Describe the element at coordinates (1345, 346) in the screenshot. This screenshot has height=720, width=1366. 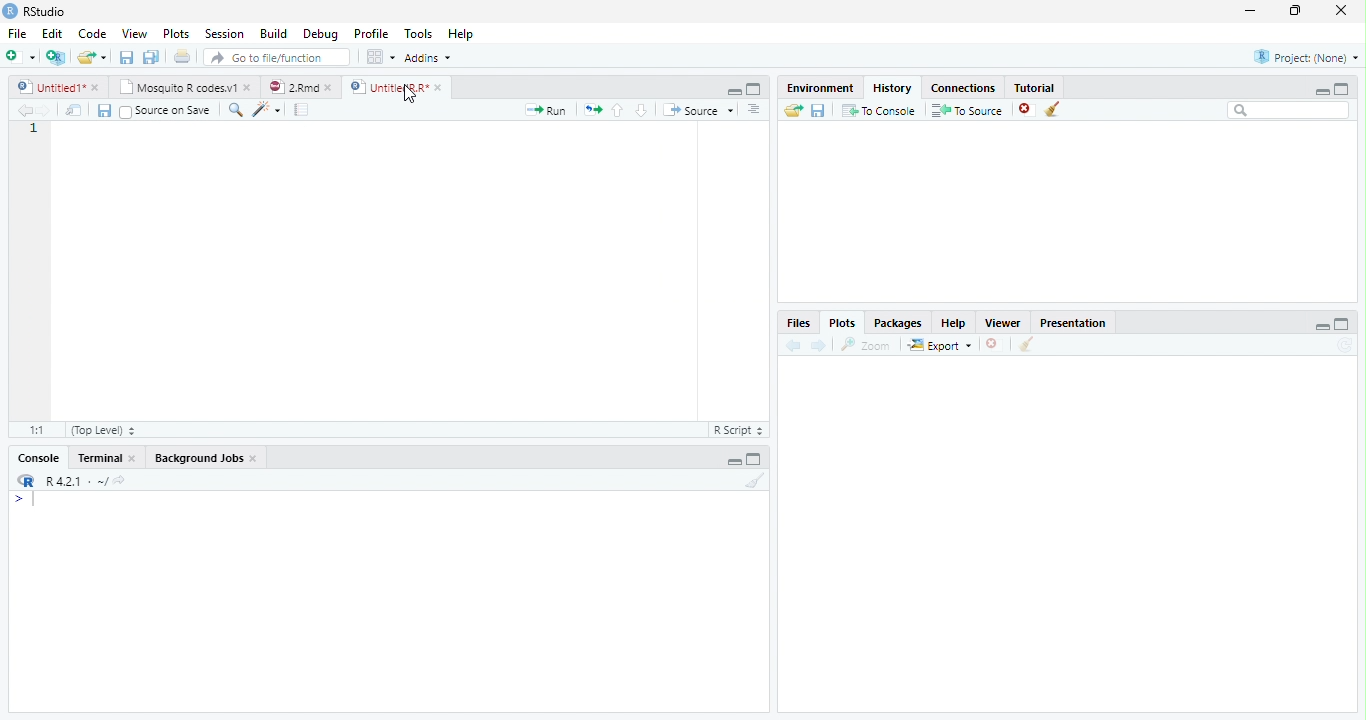
I see `Refresh current plot` at that location.